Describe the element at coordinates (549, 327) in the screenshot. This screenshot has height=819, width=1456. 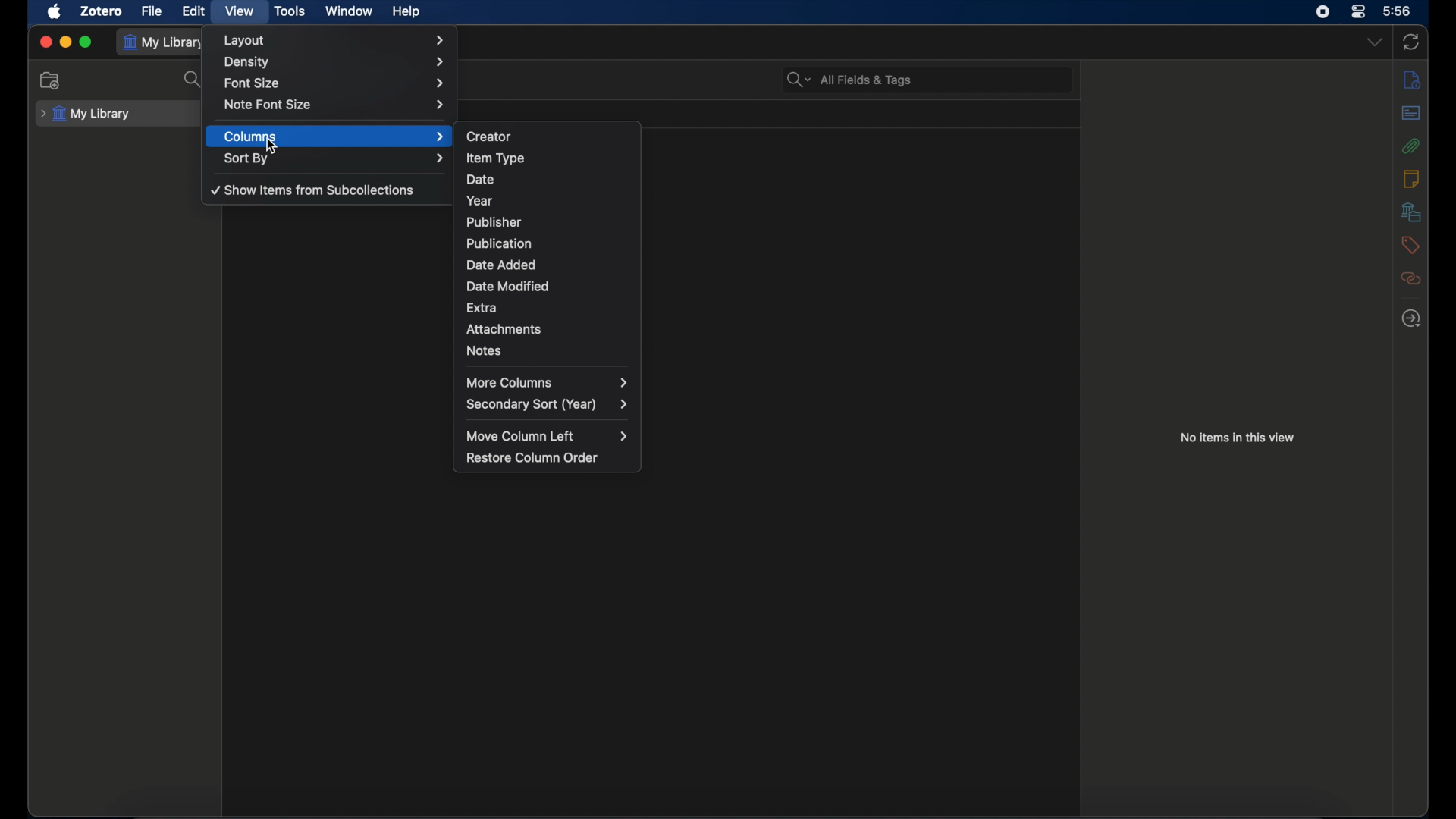
I see `attachments` at that location.